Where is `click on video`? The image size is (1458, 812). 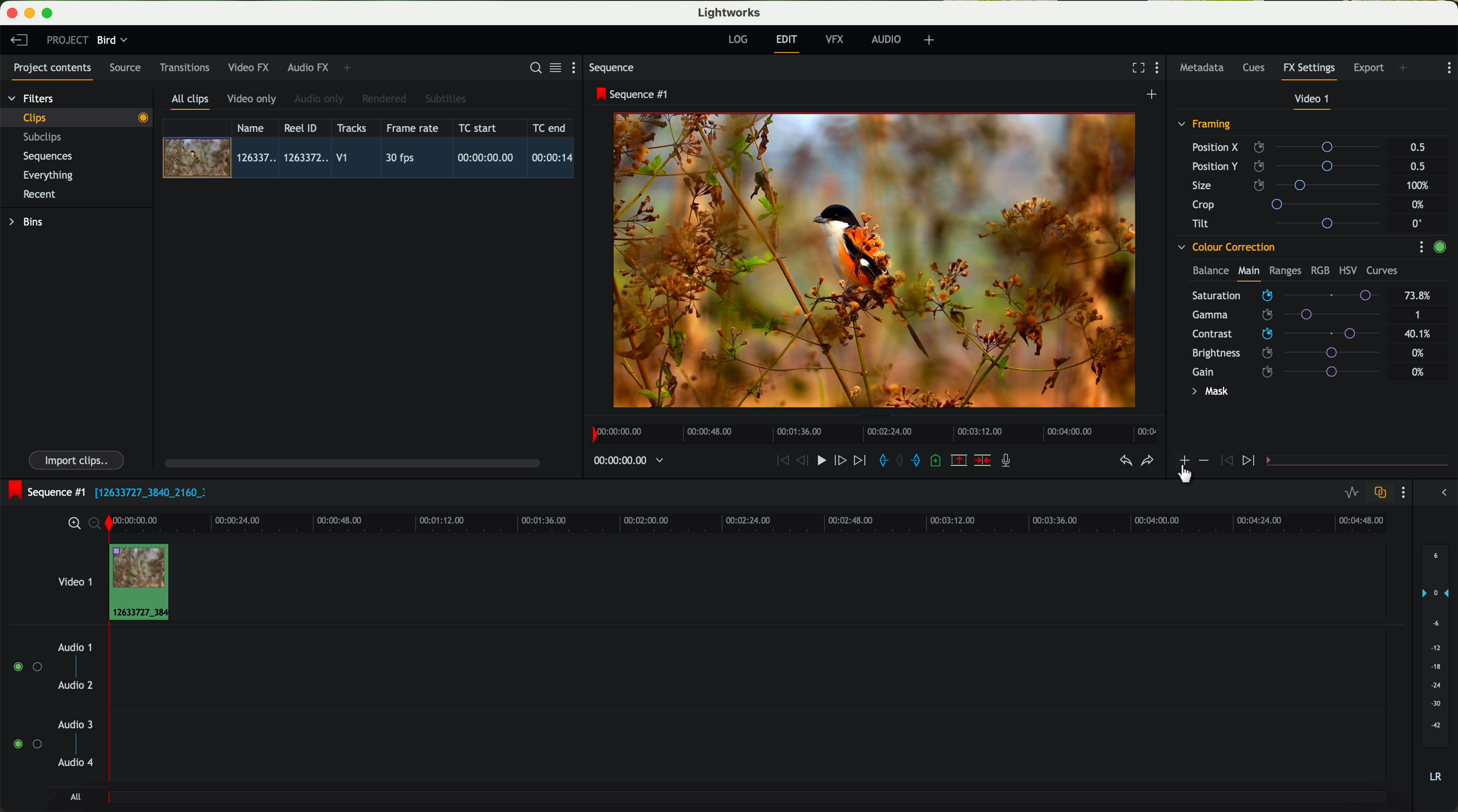 click on video is located at coordinates (372, 160).